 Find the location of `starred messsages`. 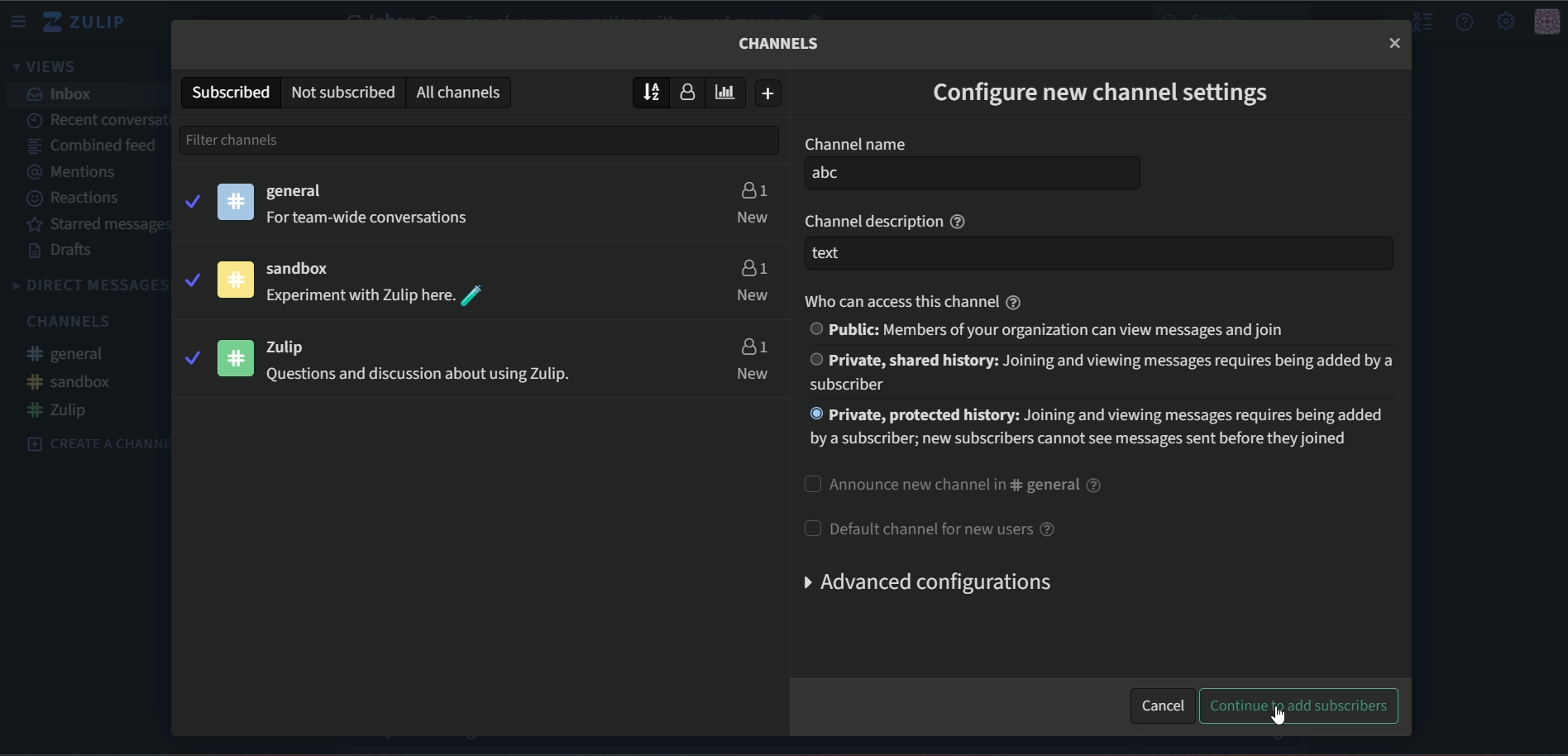

starred messsages is located at coordinates (100, 225).